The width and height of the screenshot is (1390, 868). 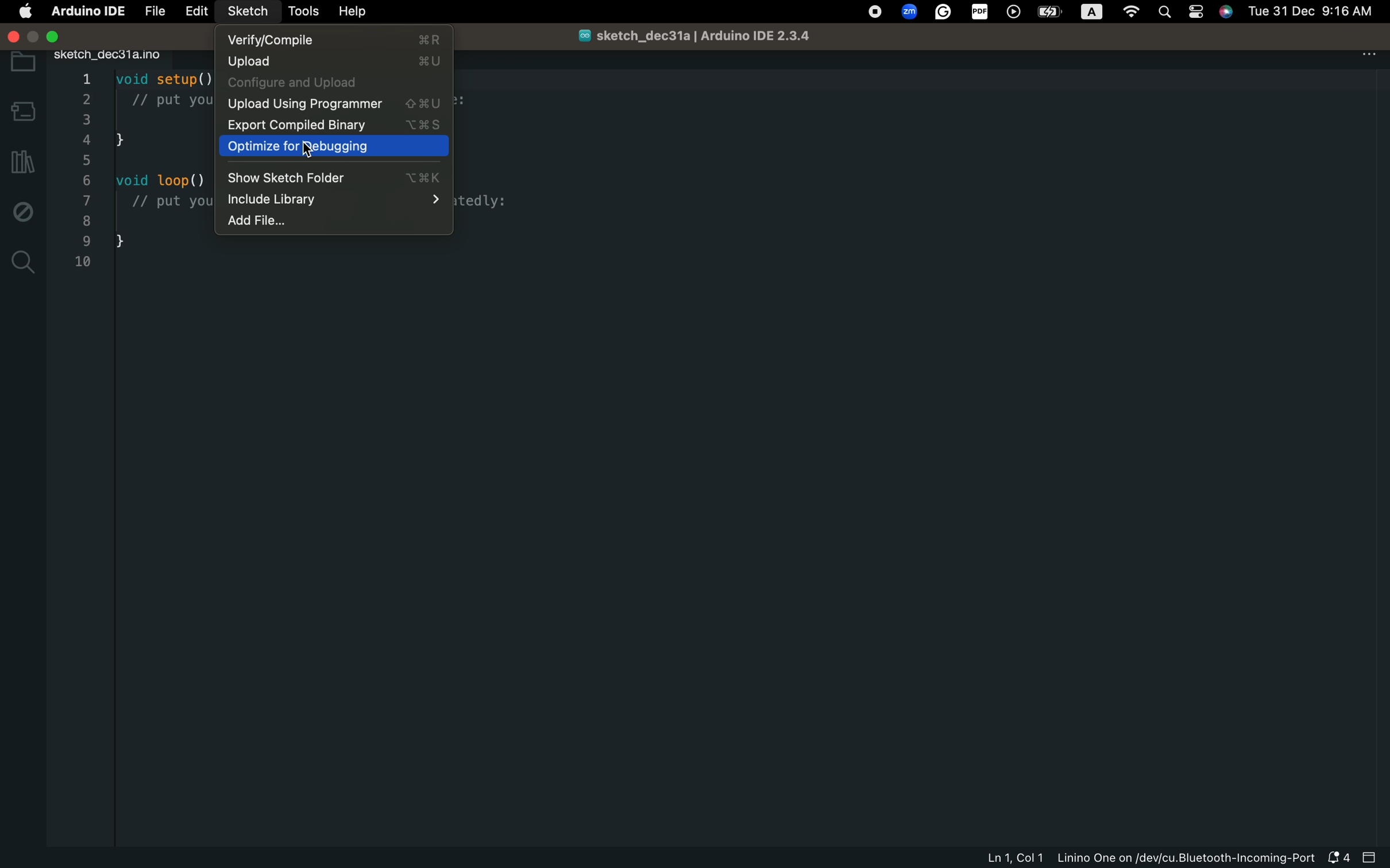 I want to click on library manager, so click(x=22, y=164).